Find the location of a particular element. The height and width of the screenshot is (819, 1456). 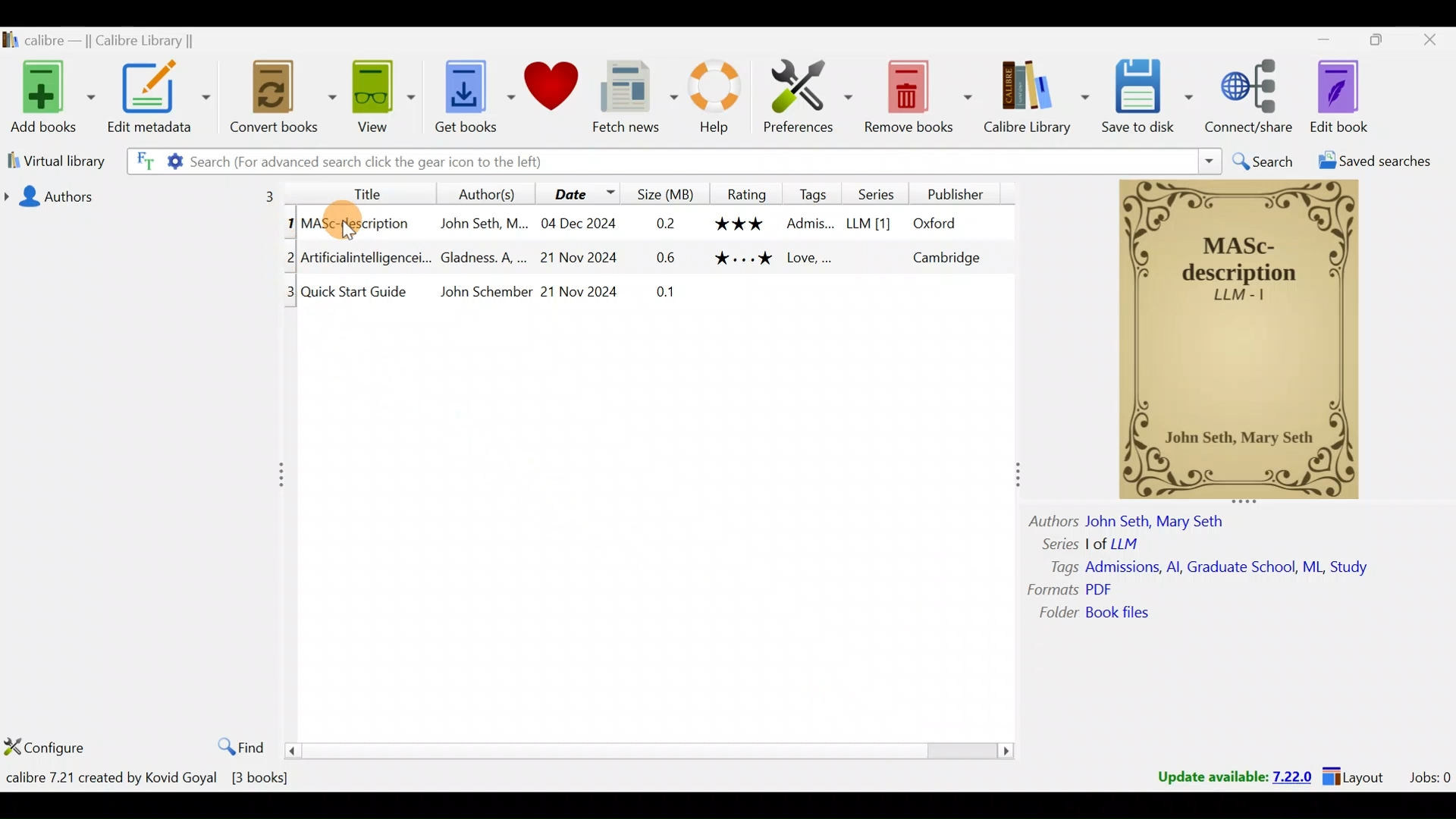

 is located at coordinates (289, 293).